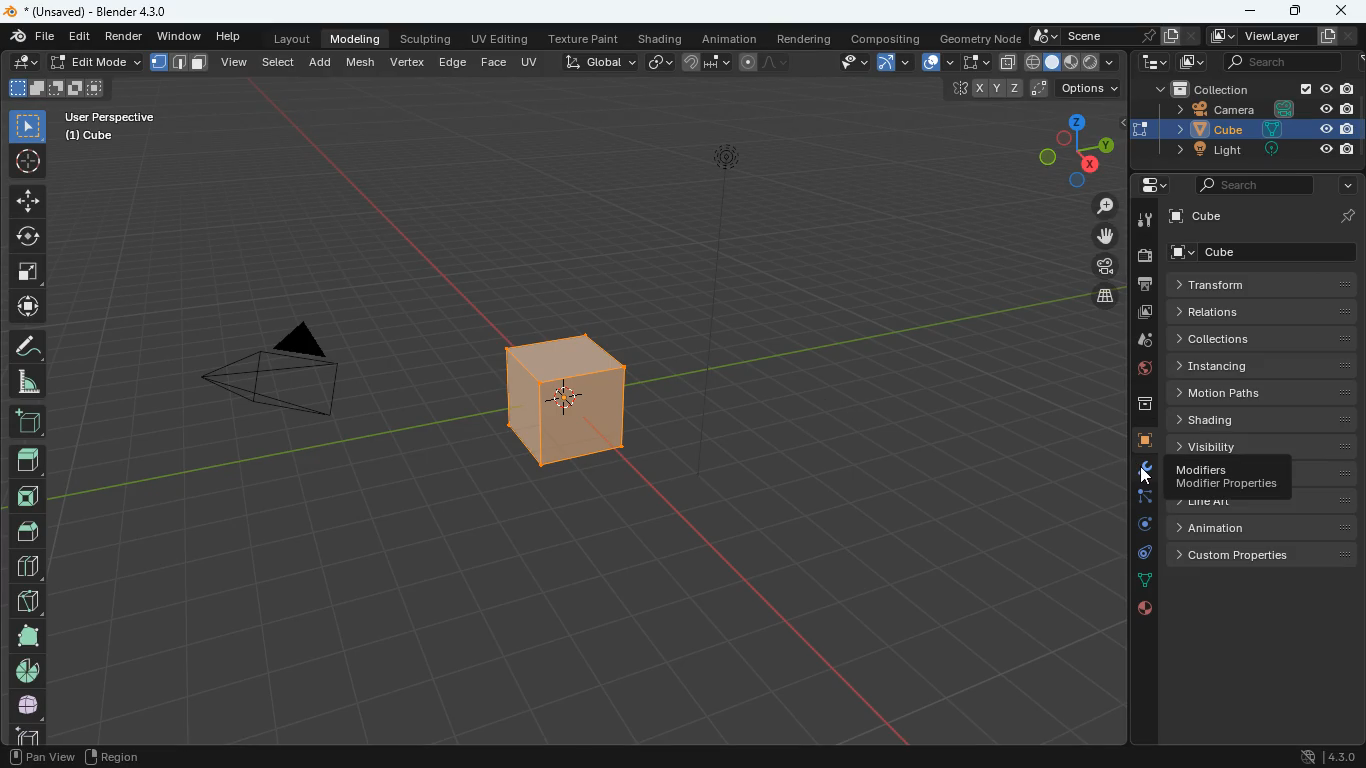 Image resolution: width=1366 pixels, height=768 pixels. What do you see at coordinates (1099, 296) in the screenshot?
I see `layers` at bounding box center [1099, 296].